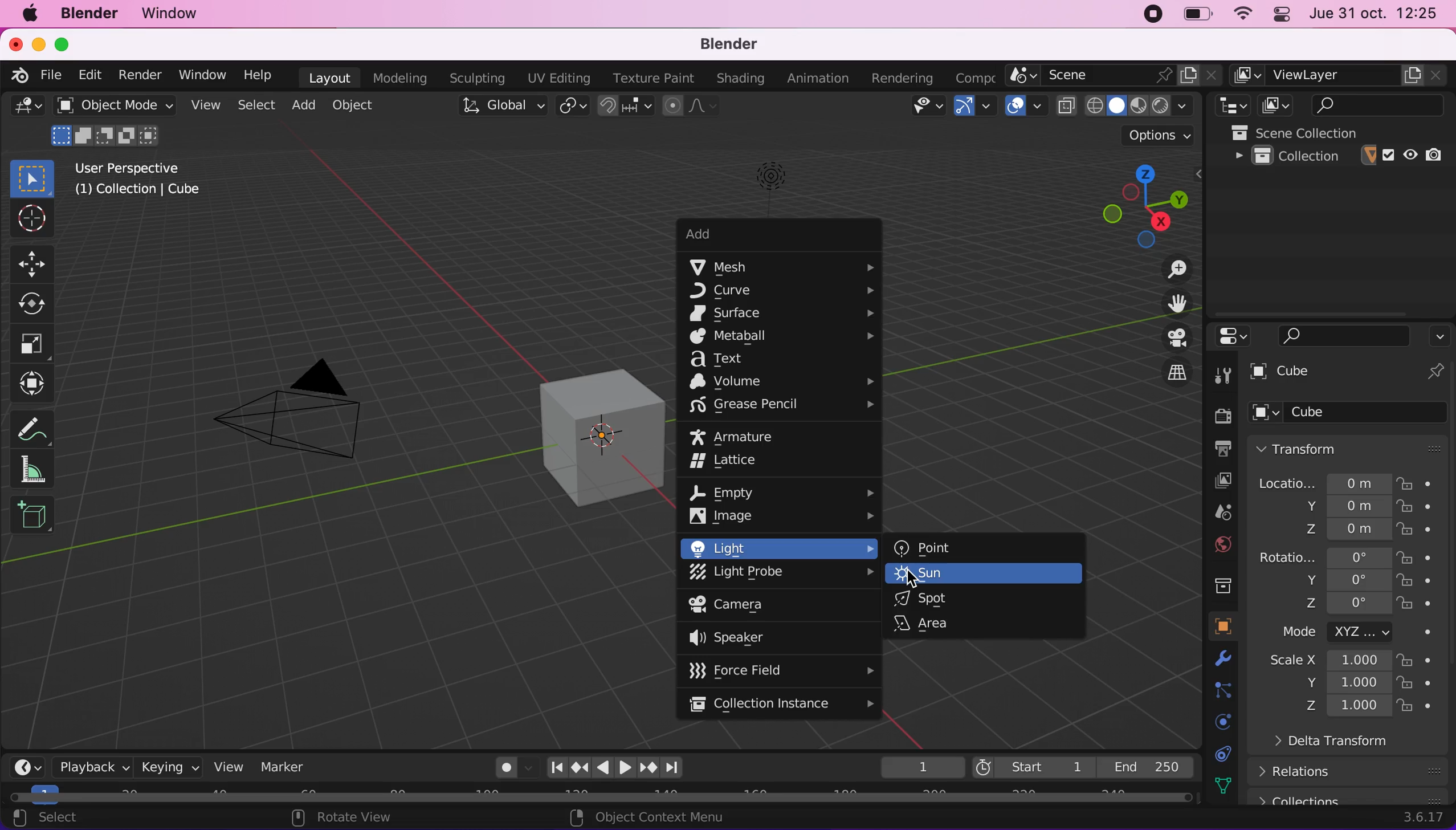  Describe the element at coordinates (923, 546) in the screenshot. I see `point` at that location.